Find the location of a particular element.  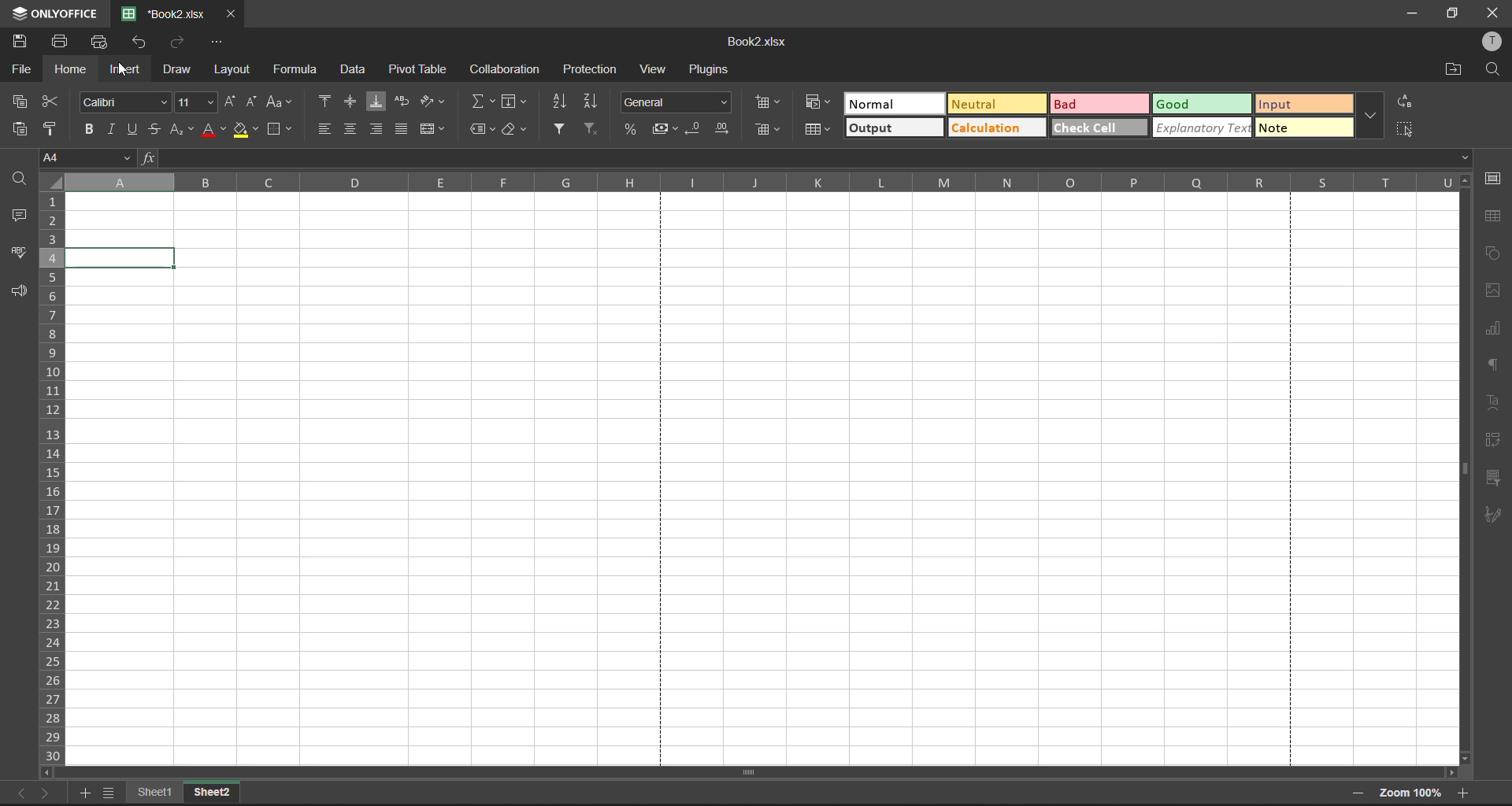

clear filter is located at coordinates (591, 128).